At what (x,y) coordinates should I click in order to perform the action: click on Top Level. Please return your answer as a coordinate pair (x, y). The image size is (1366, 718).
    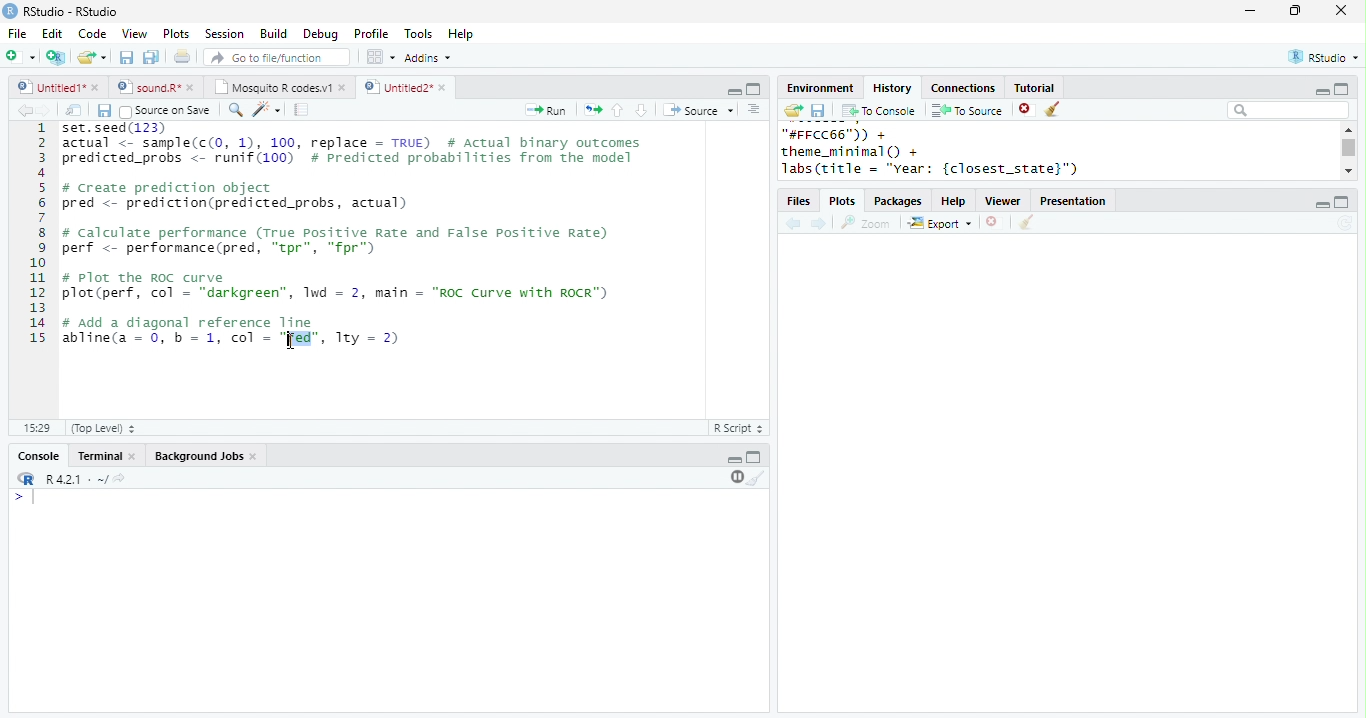
    Looking at the image, I should click on (105, 428).